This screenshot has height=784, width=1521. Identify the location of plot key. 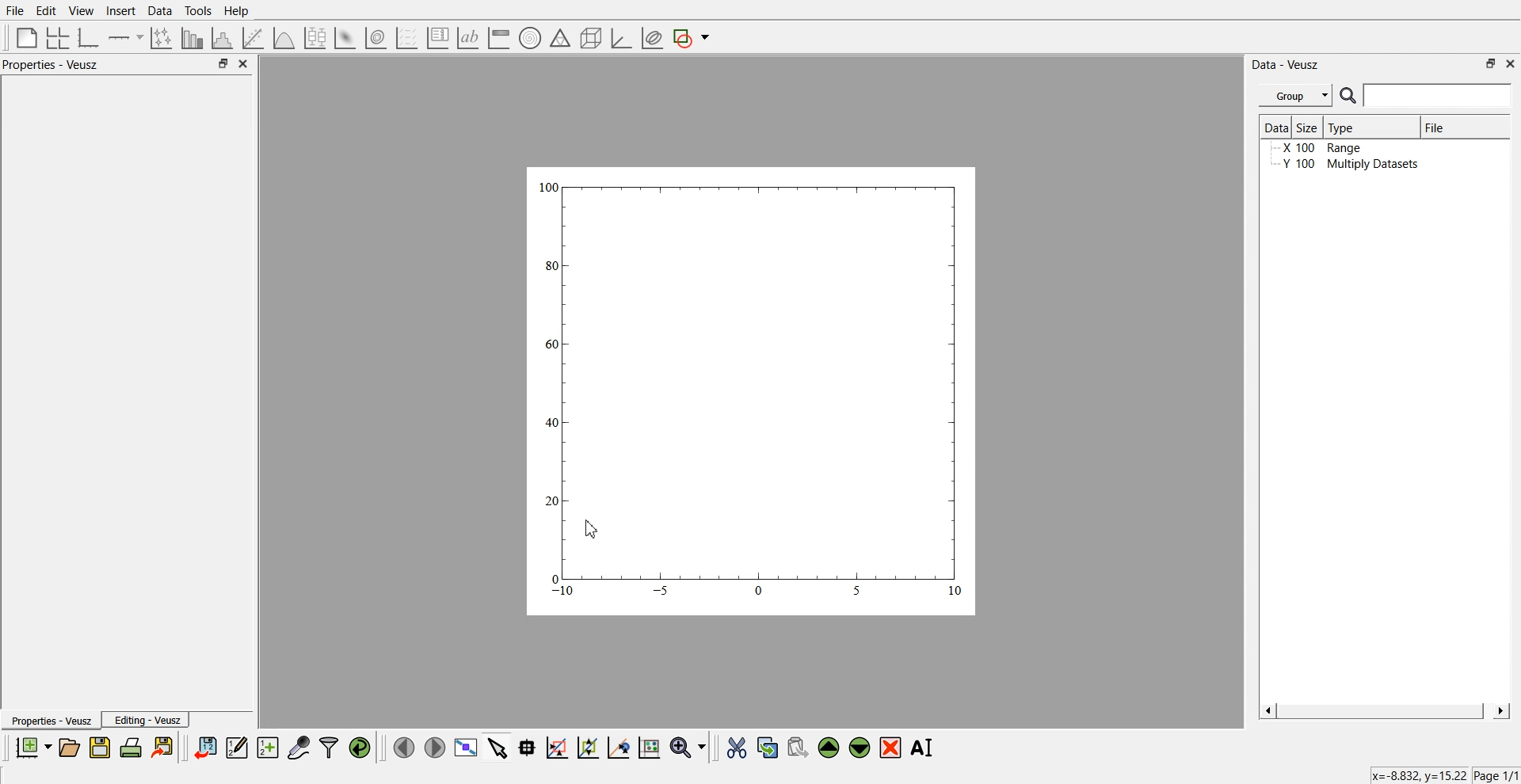
(437, 38).